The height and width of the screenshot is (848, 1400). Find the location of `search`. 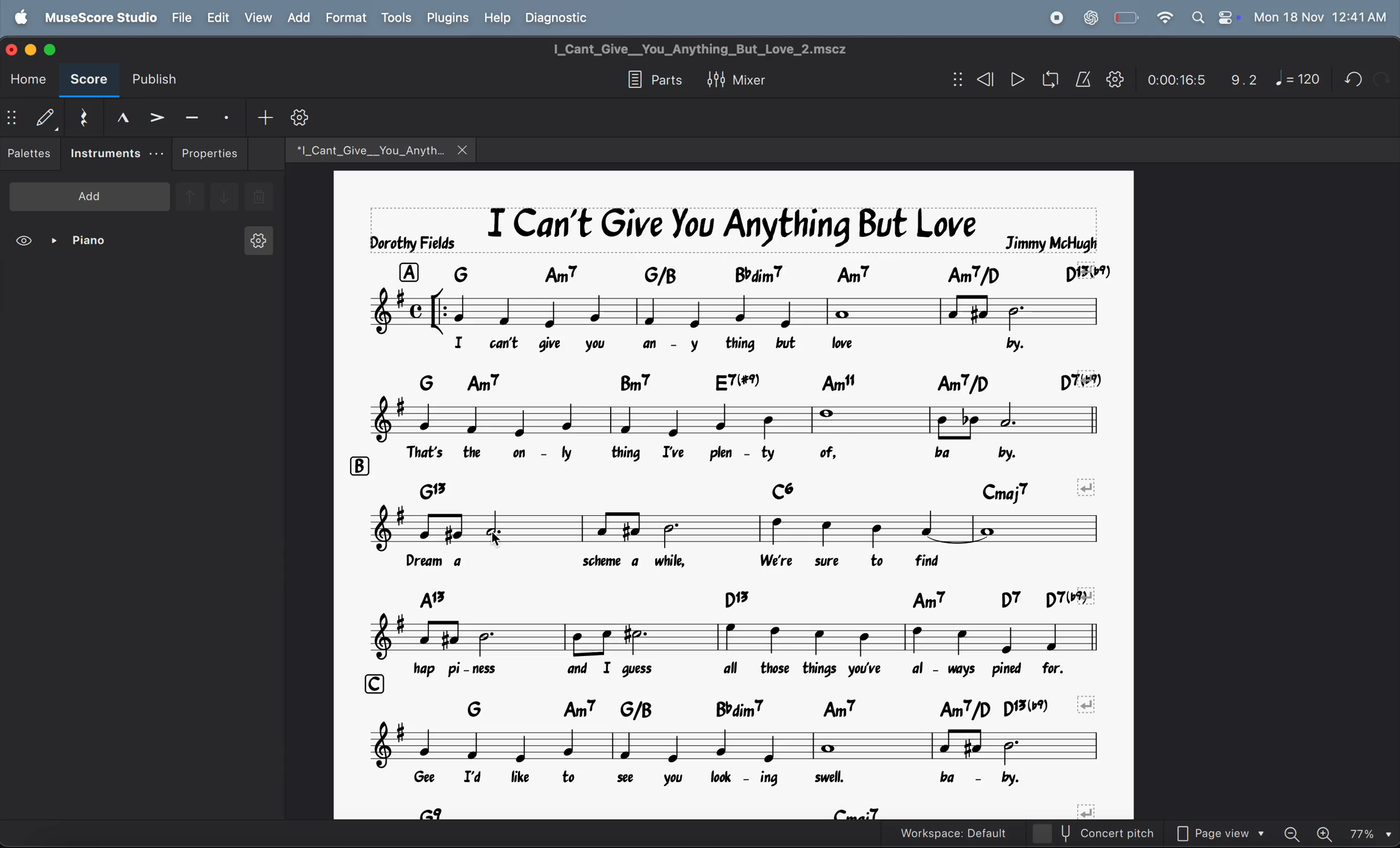

search is located at coordinates (1194, 17).